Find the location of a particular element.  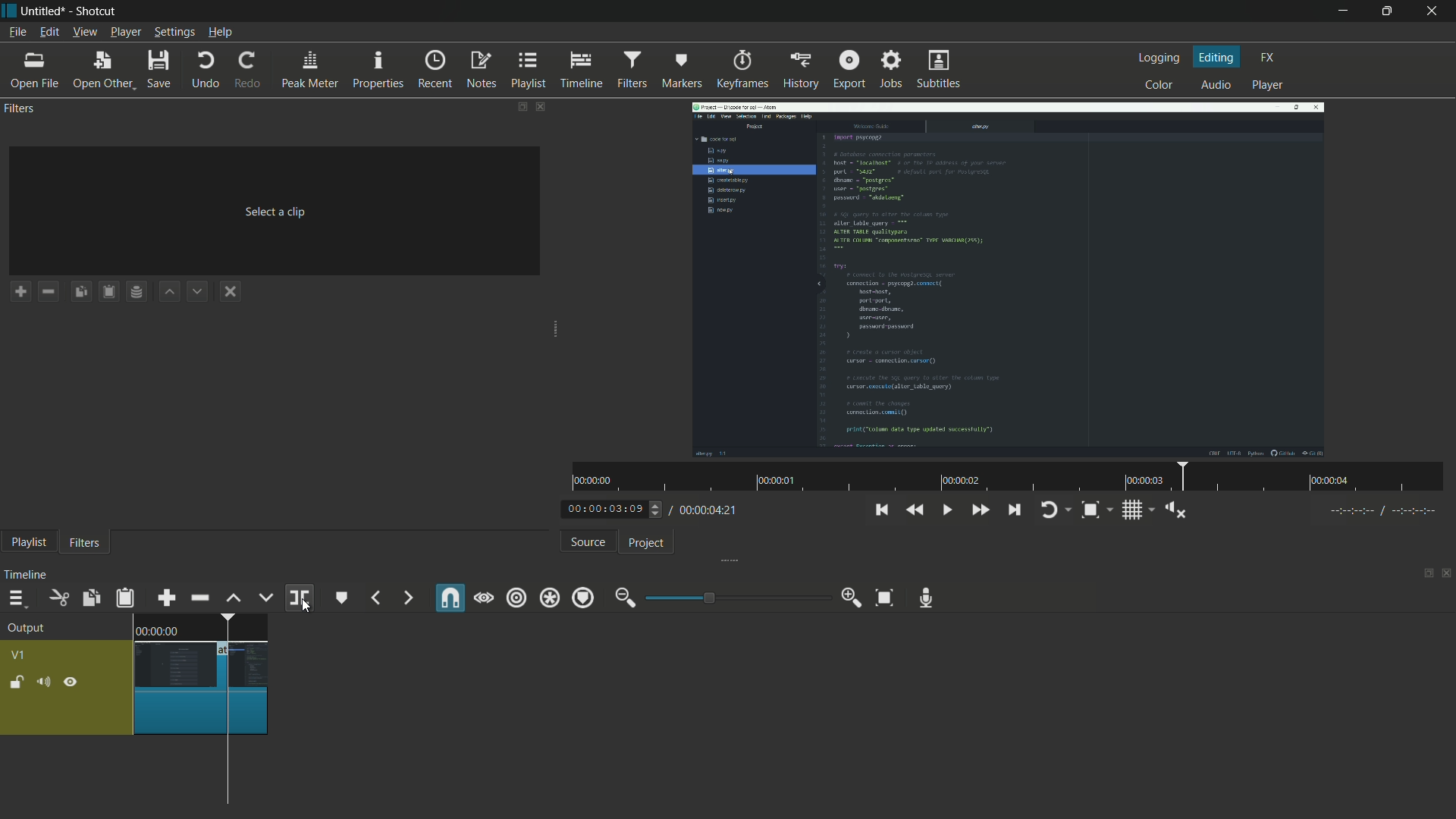

filters is located at coordinates (85, 544).